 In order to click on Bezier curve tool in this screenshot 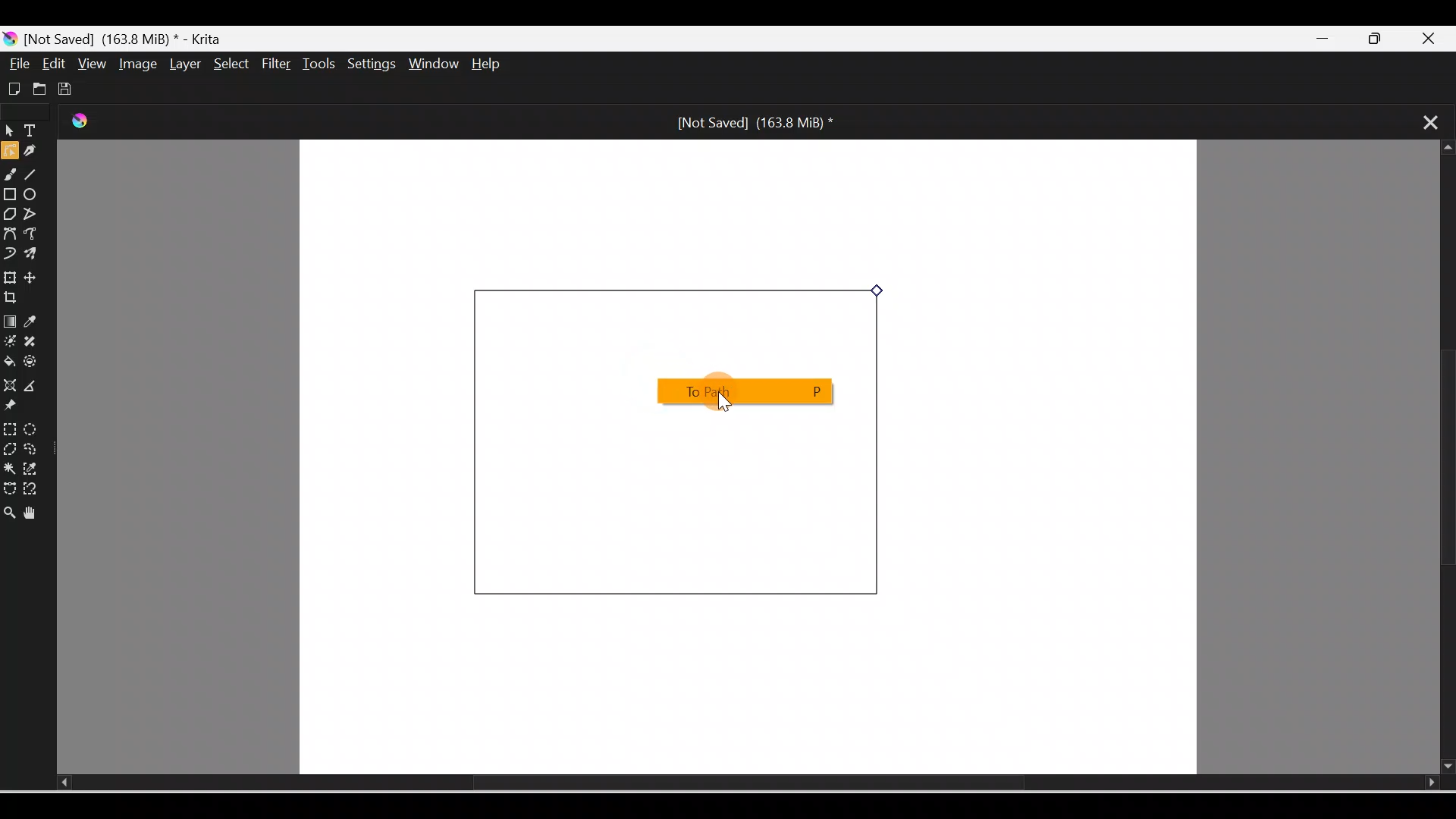, I will do `click(11, 233)`.